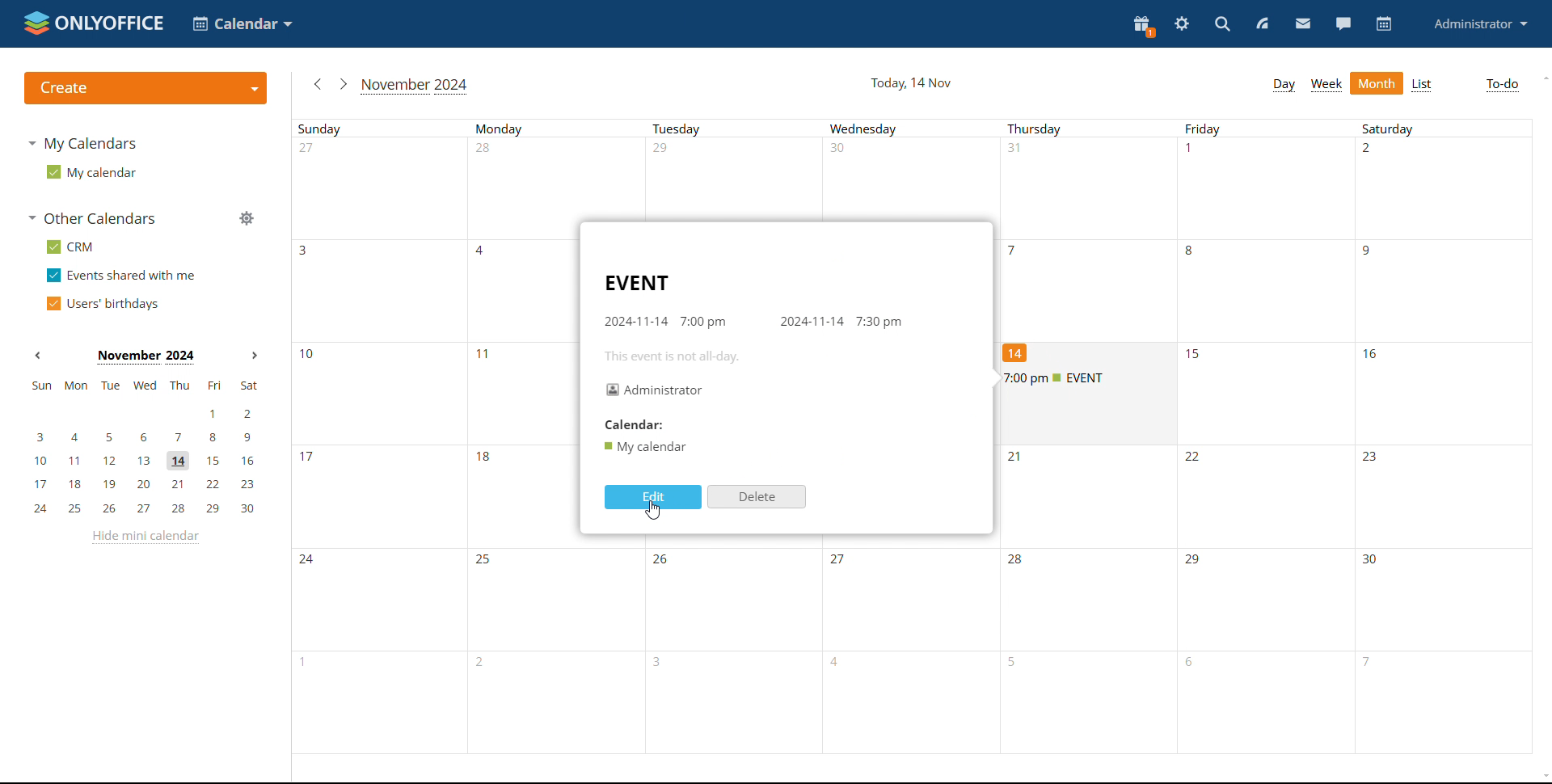  Describe the element at coordinates (652, 511) in the screenshot. I see `cursor` at that location.